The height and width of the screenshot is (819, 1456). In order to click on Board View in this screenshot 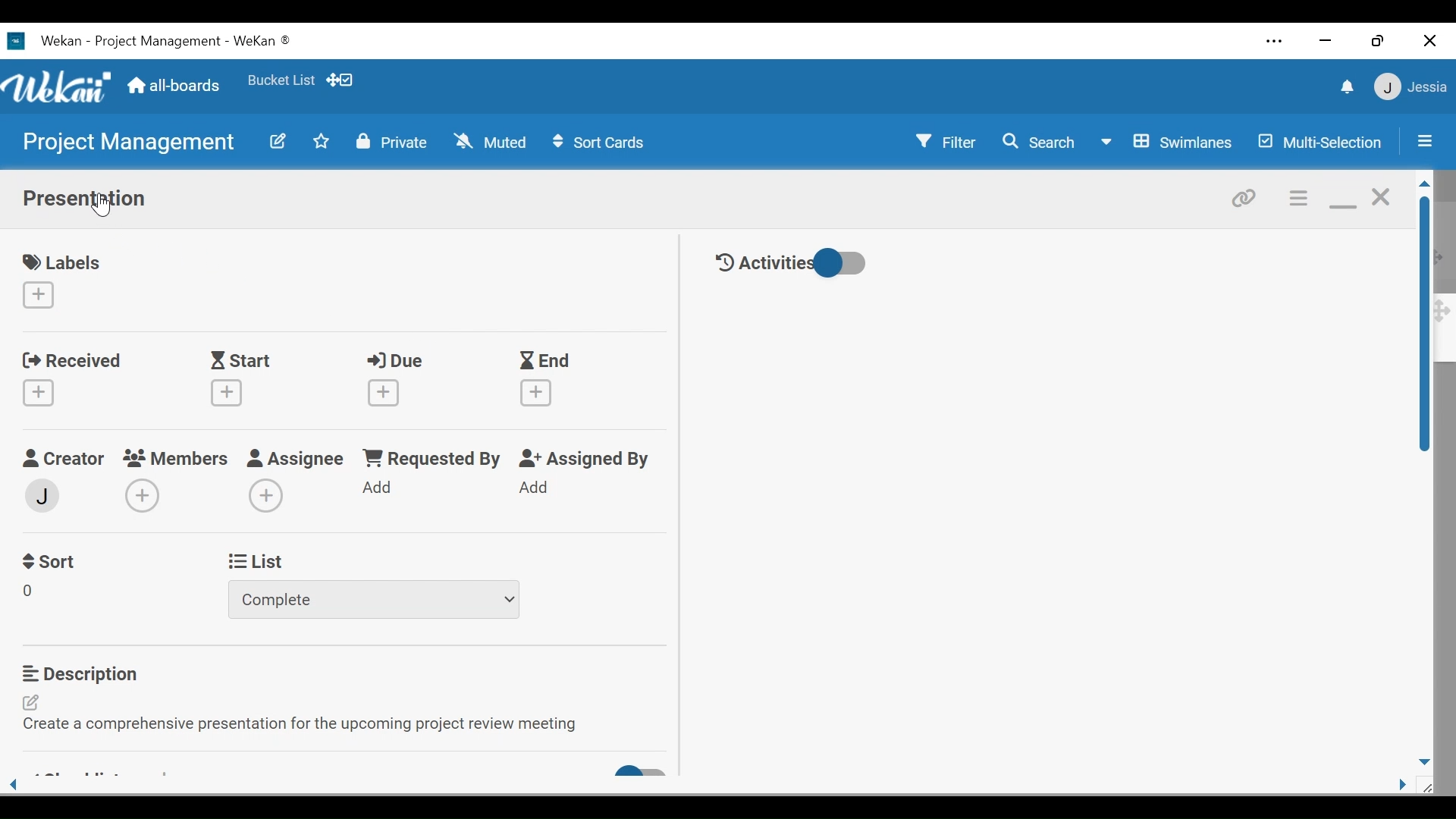, I will do `click(1164, 143)`.